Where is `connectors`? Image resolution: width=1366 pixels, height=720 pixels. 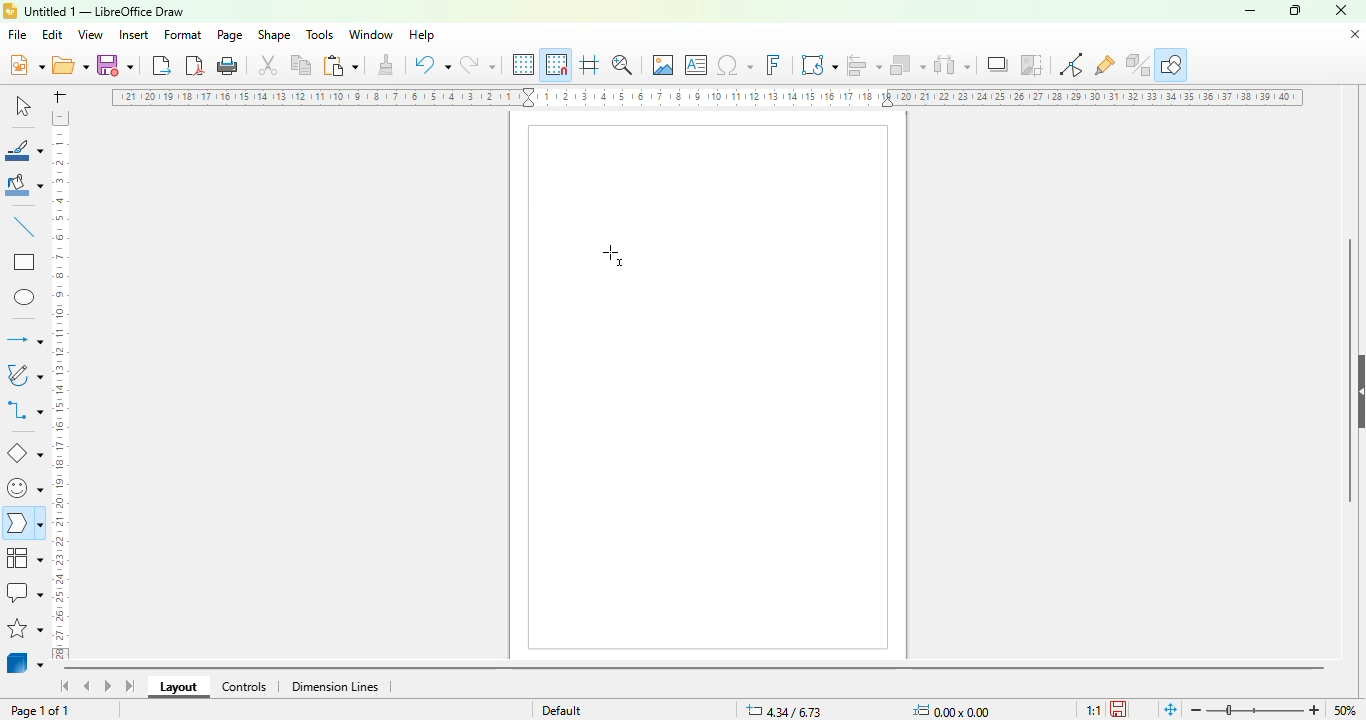
connectors is located at coordinates (24, 409).